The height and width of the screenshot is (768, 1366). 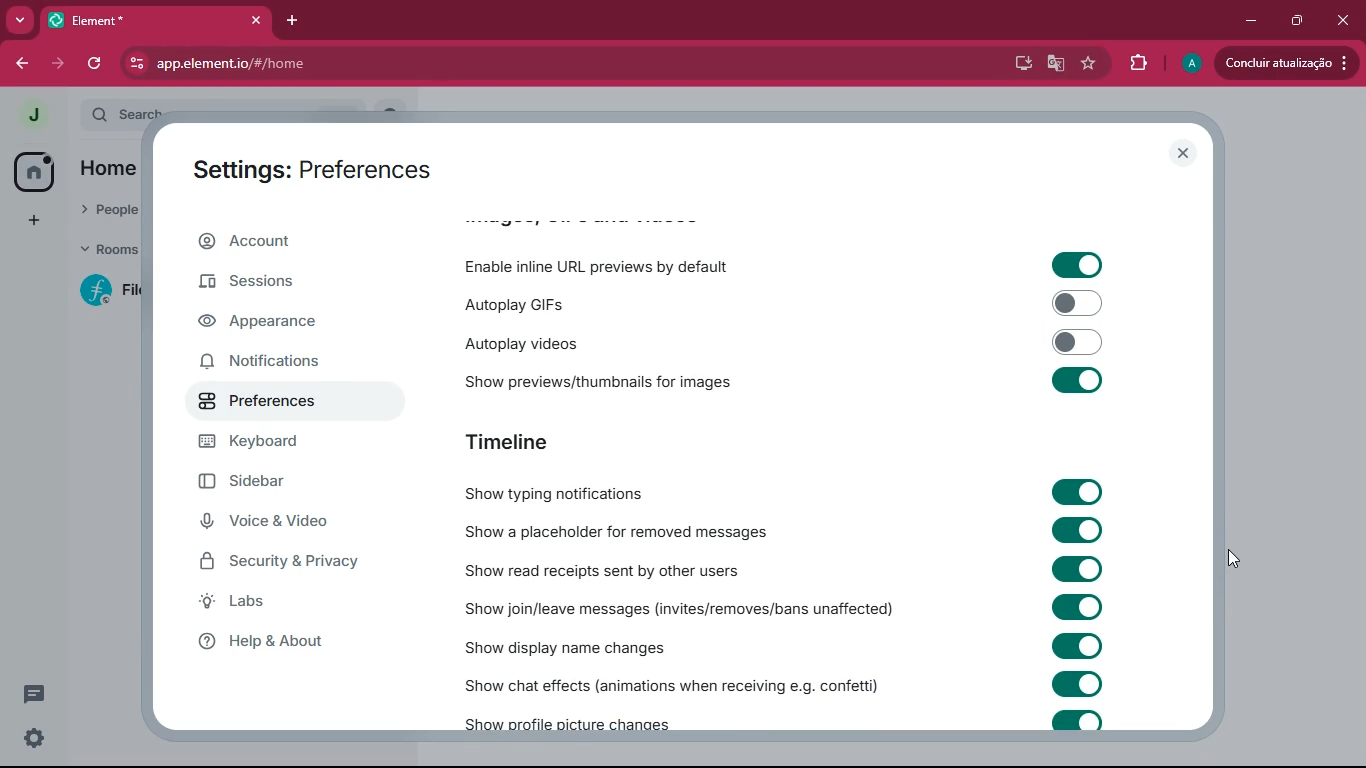 I want to click on toggle on/off, so click(x=1078, y=492).